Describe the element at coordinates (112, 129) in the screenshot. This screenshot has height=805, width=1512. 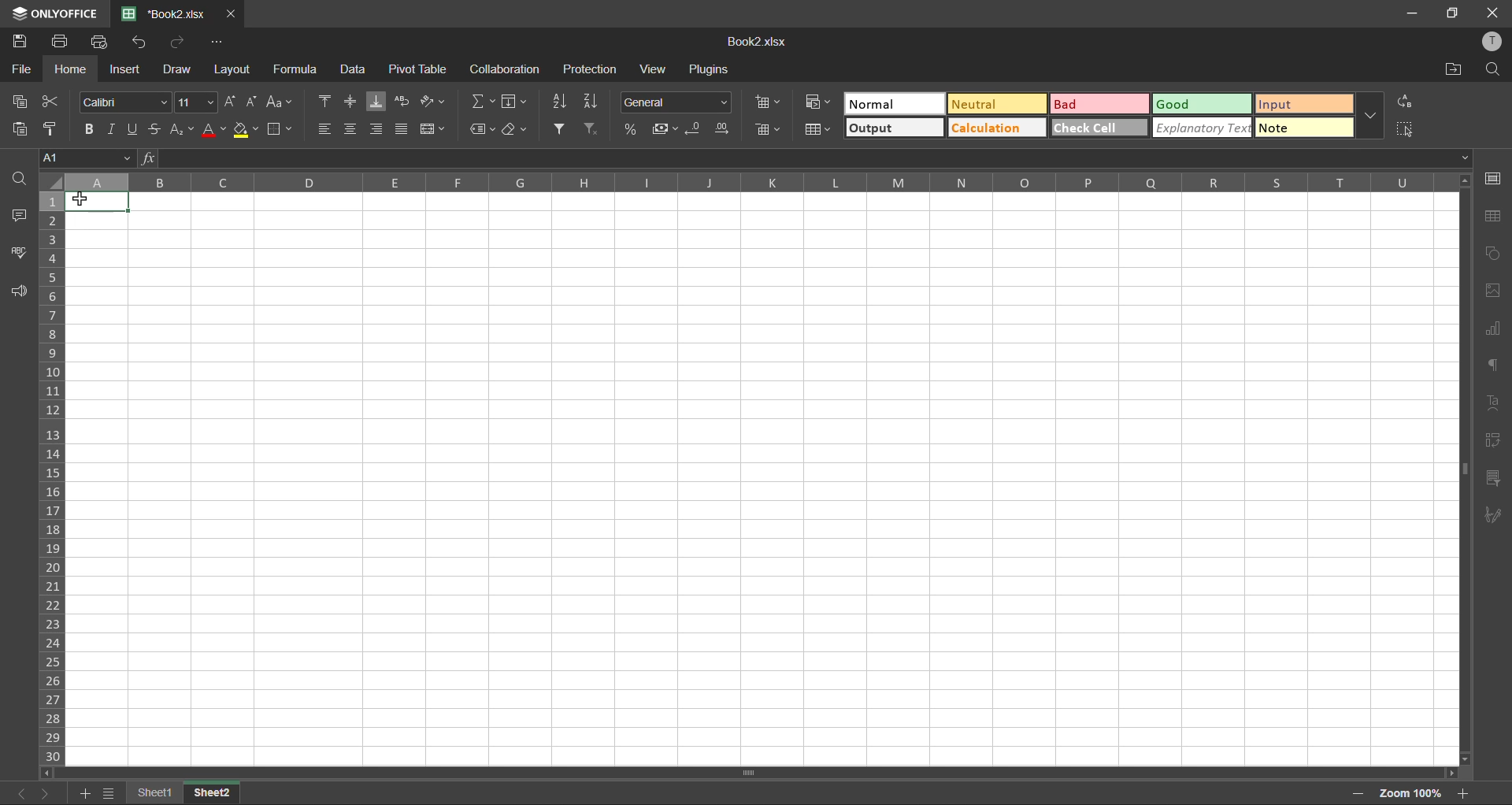
I see `italic` at that location.